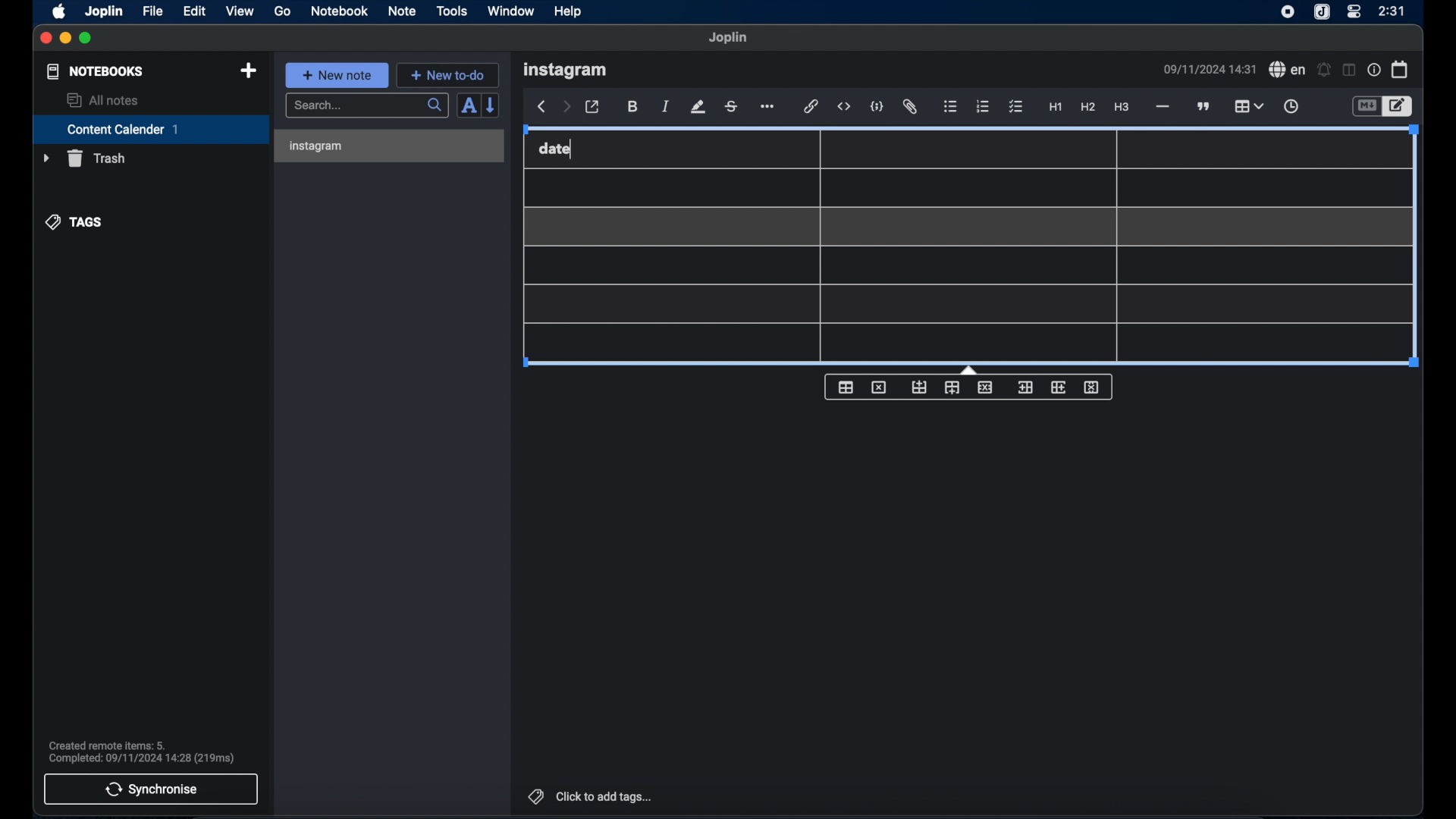  What do you see at coordinates (993, 249) in the screenshot?
I see `table ` at bounding box center [993, 249].